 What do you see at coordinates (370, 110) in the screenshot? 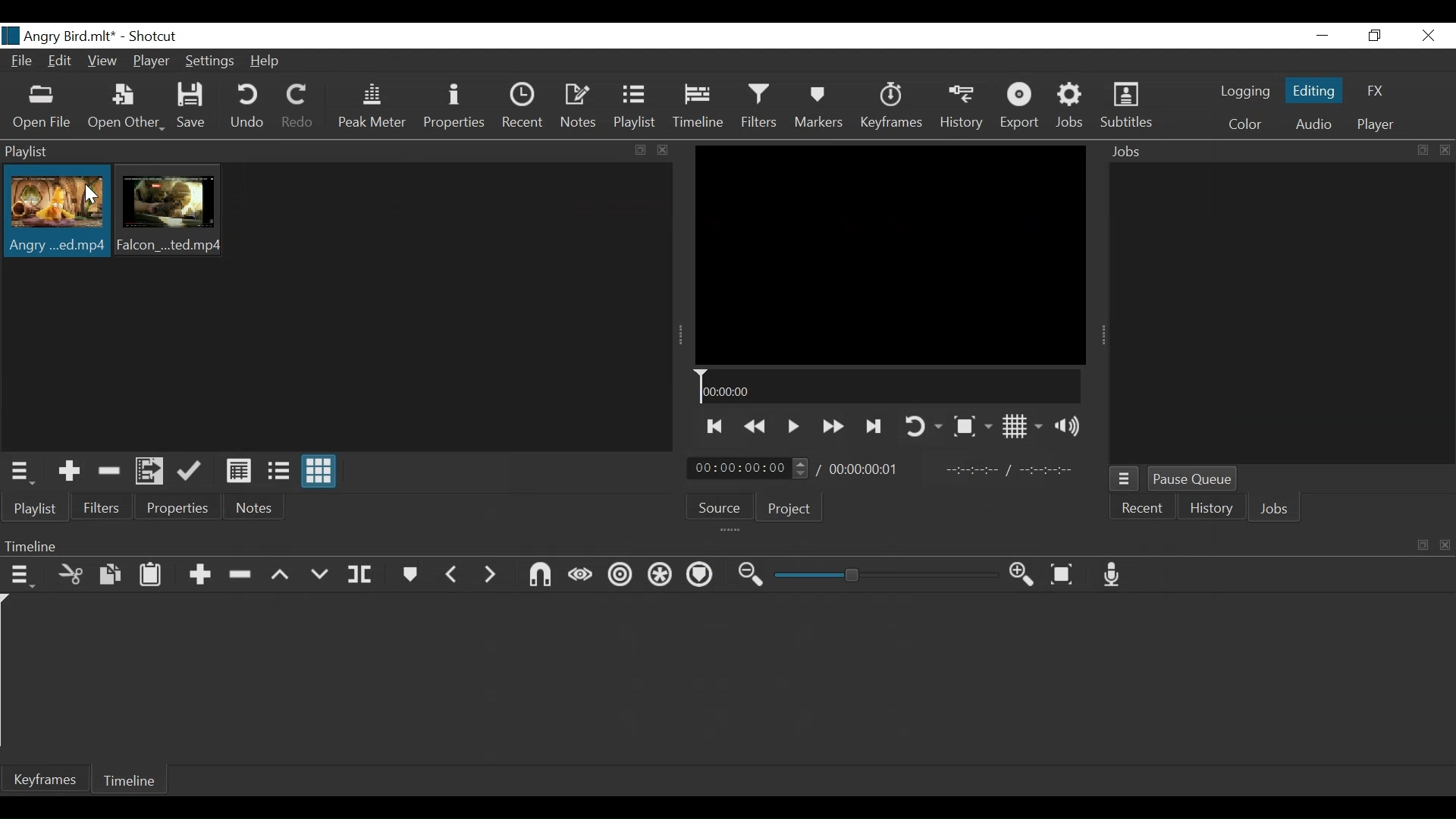
I see `Peak Meter` at bounding box center [370, 110].